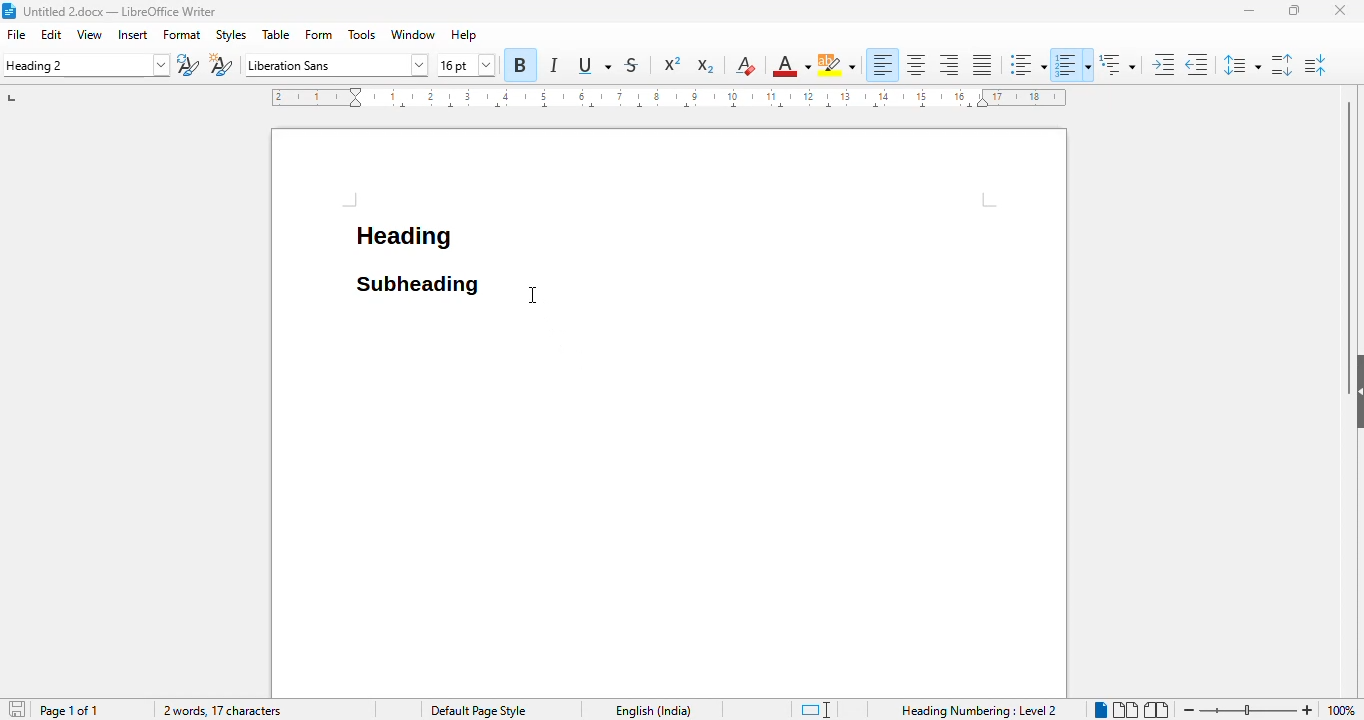 Image resolution: width=1364 pixels, height=720 pixels. What do you see at coordinates (1125, 709) in the screenshot?
I see `multi-page view` at bounding box center [1125, 709].